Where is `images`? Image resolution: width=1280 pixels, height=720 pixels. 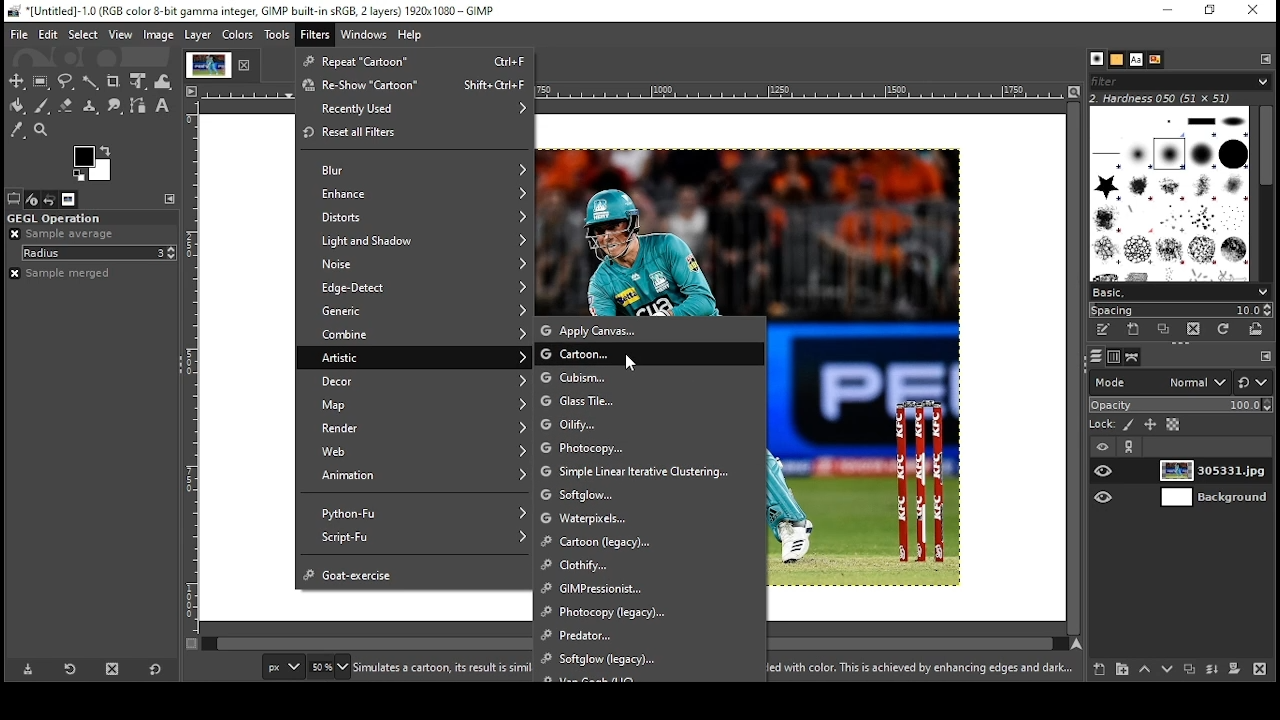 images is located at coordinates (69, 200).